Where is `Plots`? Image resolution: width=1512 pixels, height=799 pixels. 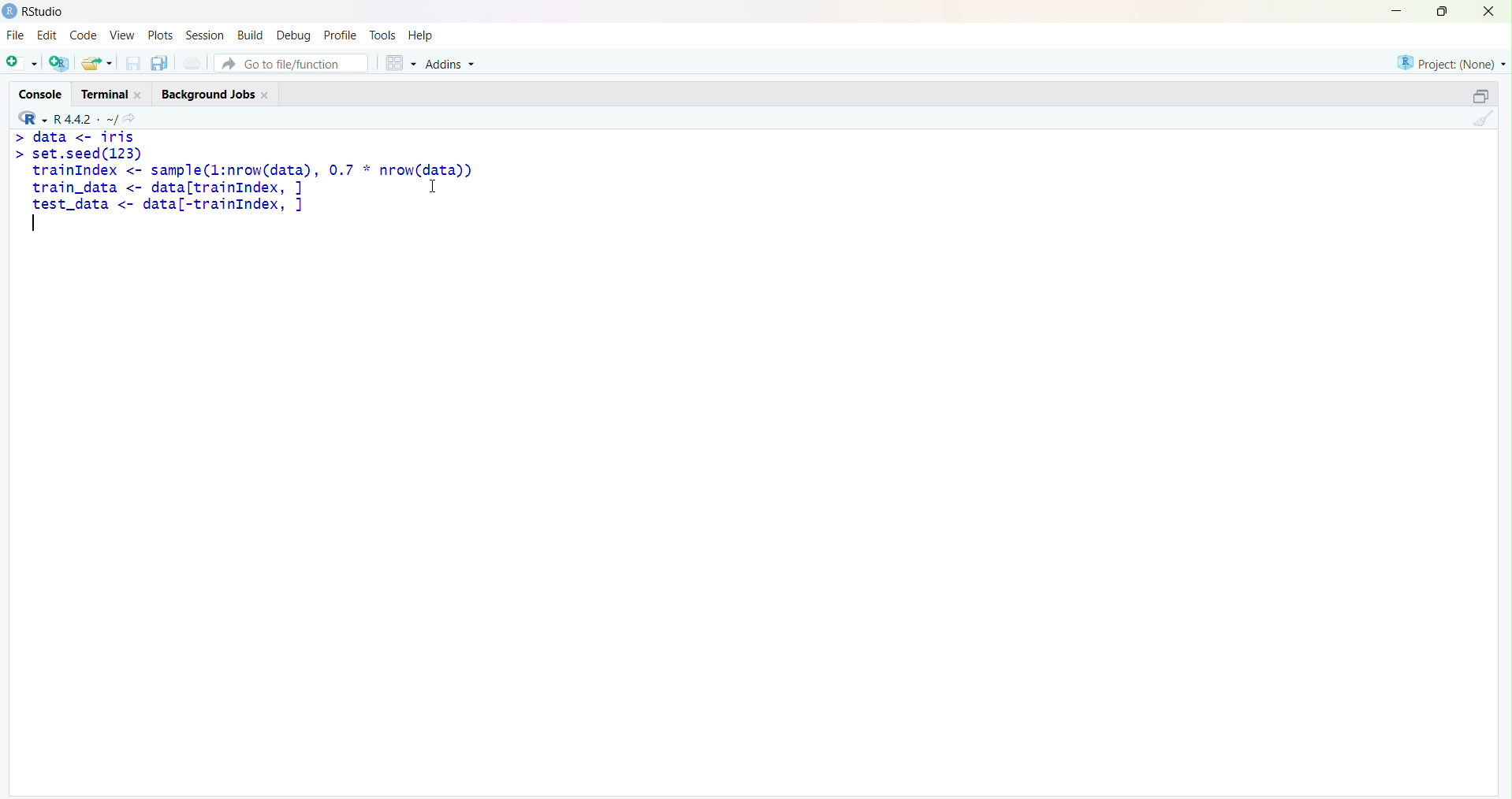 Plots is located at coordinates (160, 35).